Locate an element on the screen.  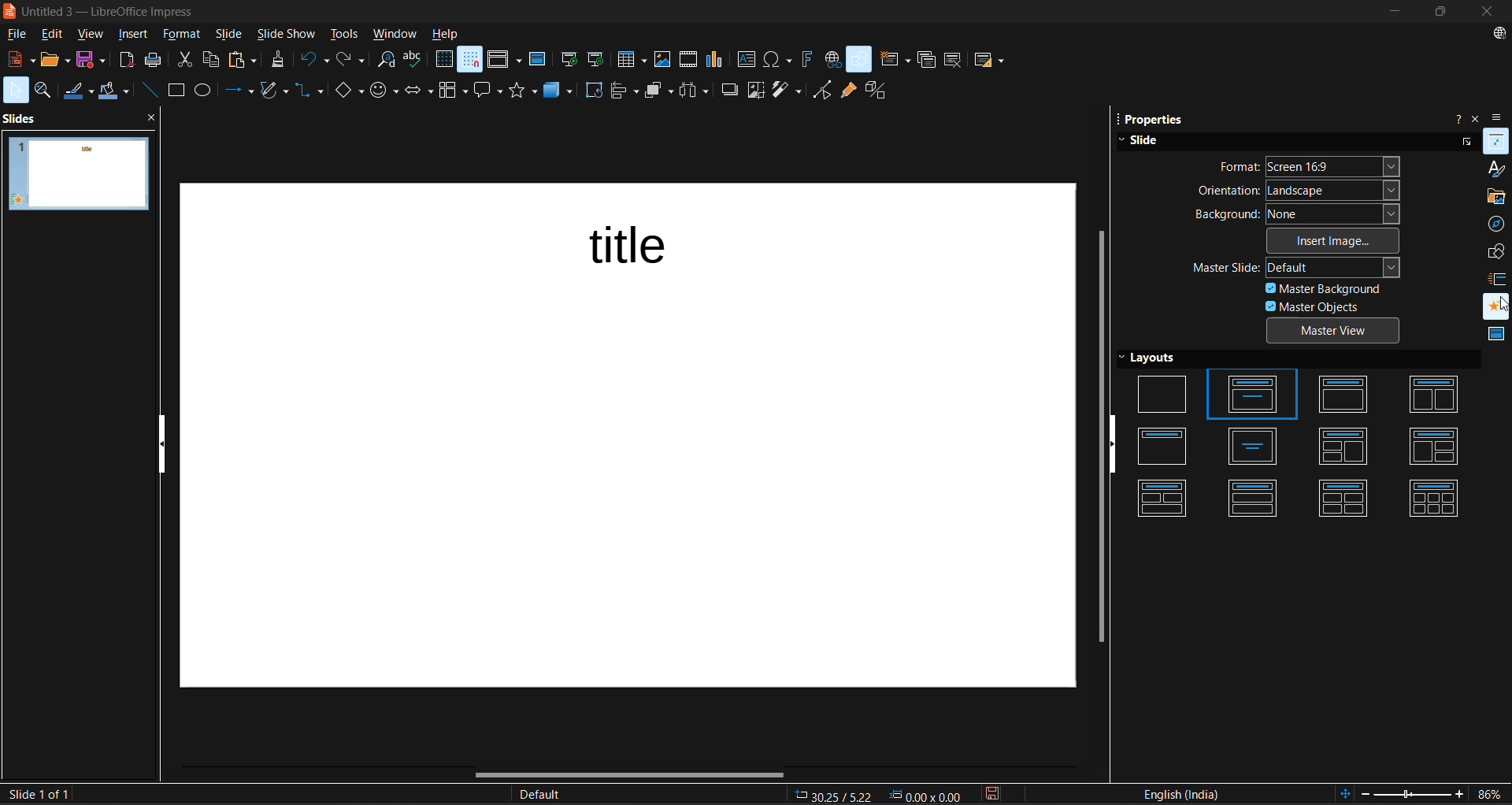
slide layout is located at coordinates (990, 63).